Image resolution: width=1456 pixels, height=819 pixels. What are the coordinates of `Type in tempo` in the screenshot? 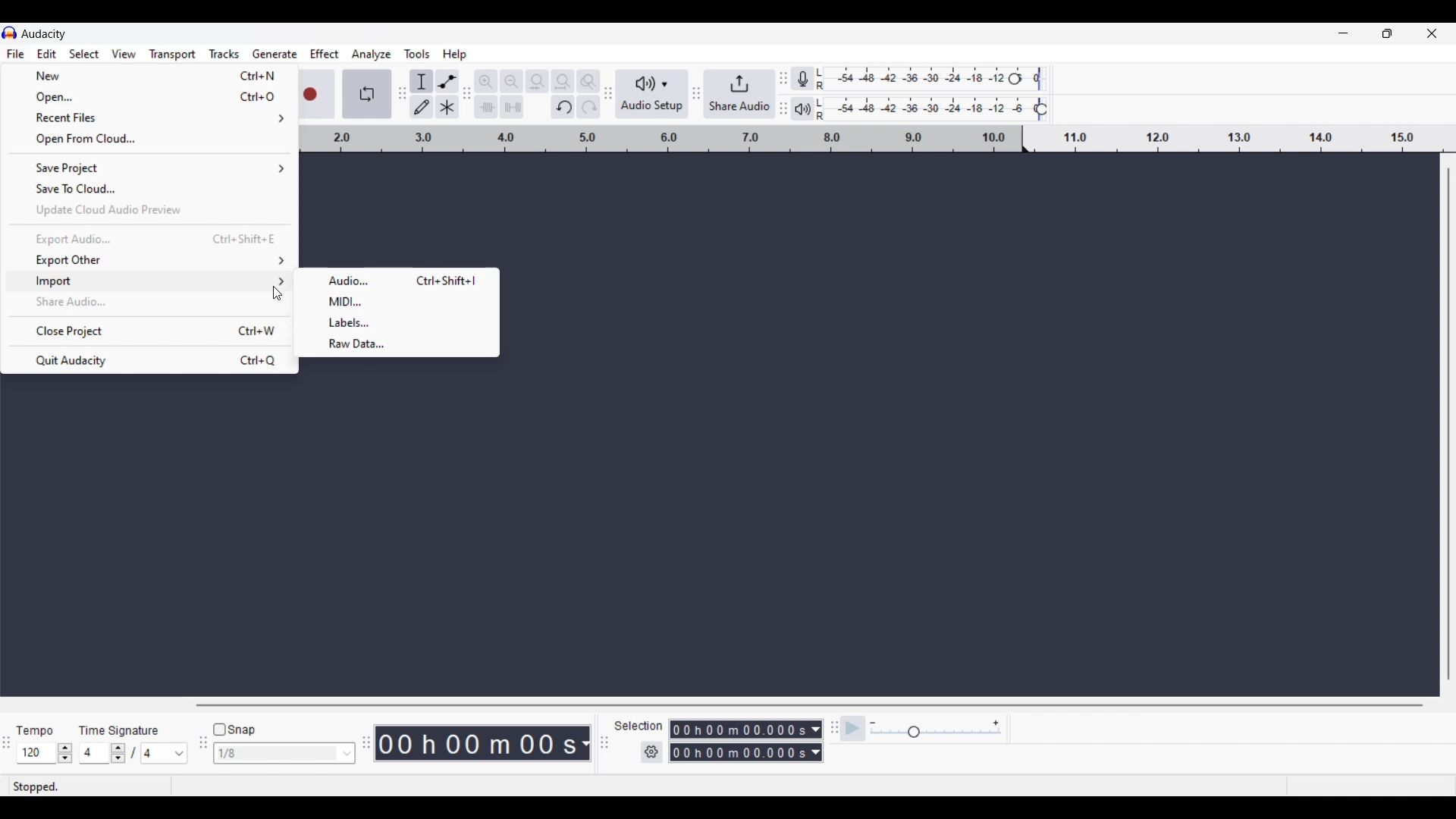 It's located at (37, 754).